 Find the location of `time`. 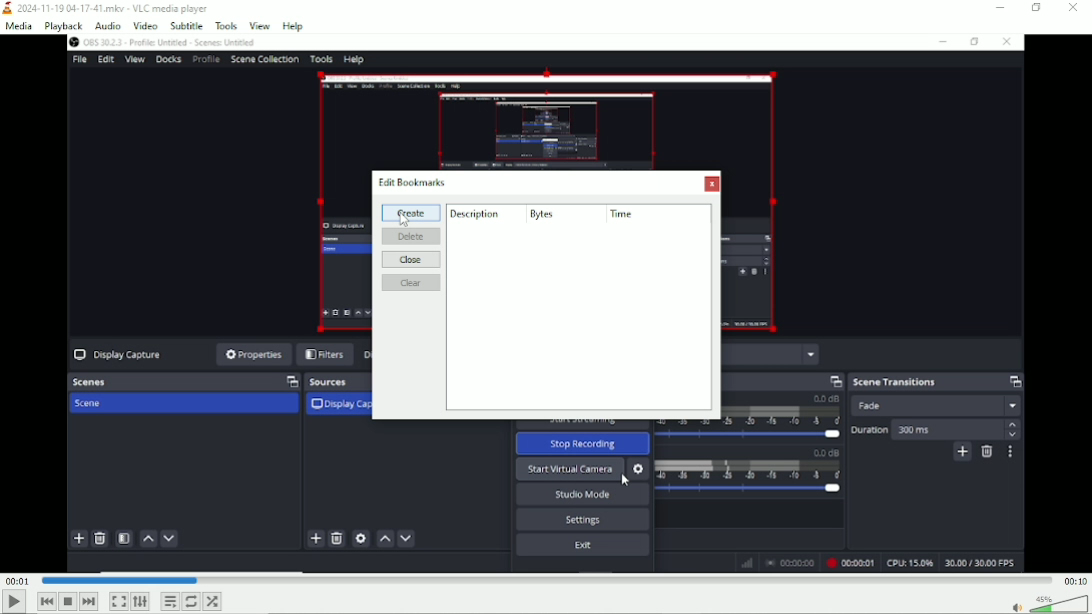

time is located at coordinates (624, 214).